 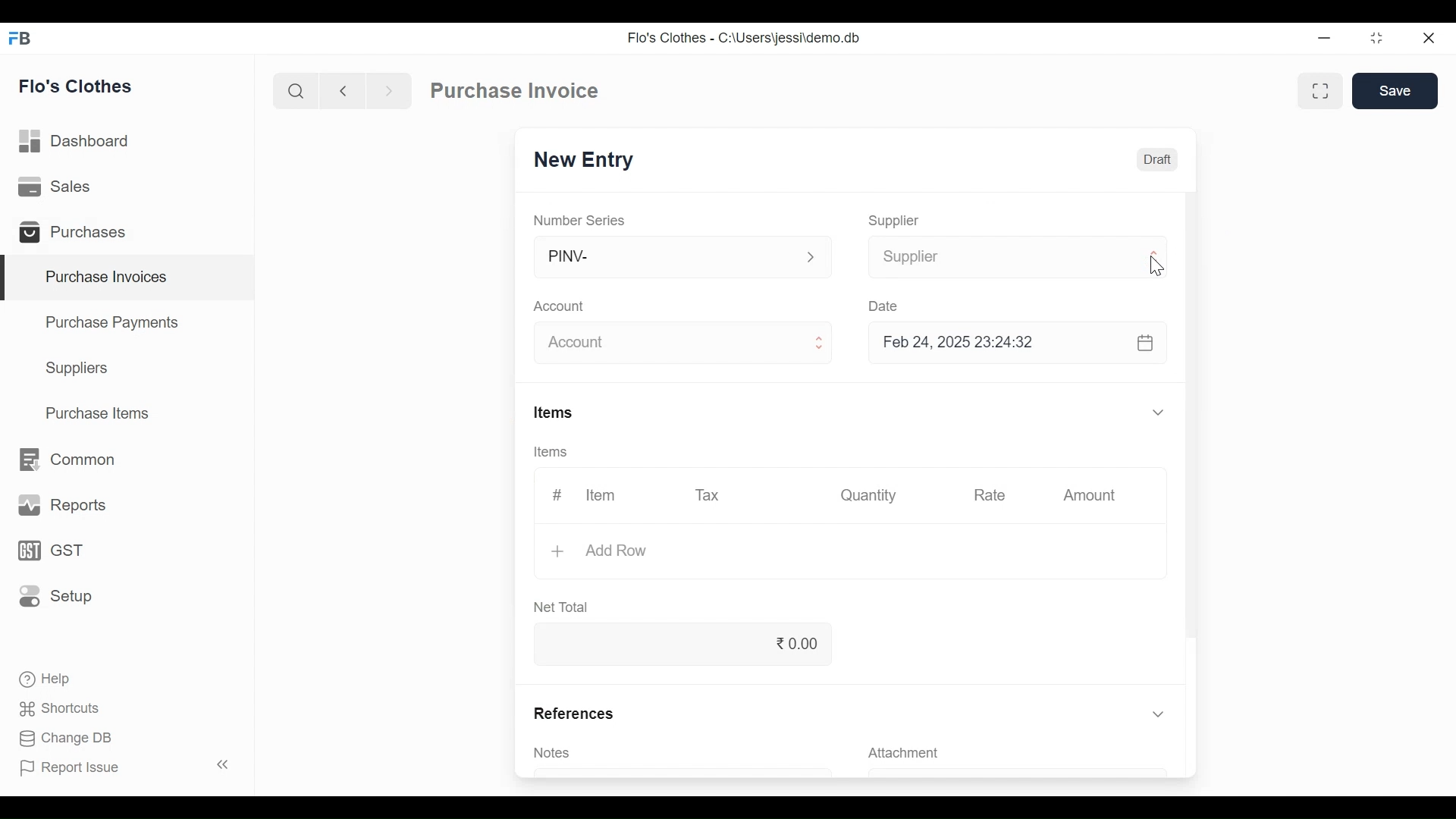 What do you see at coordinates (556, 754) in the screenshot?
I see `Notes` at bounding box center [556, 754].